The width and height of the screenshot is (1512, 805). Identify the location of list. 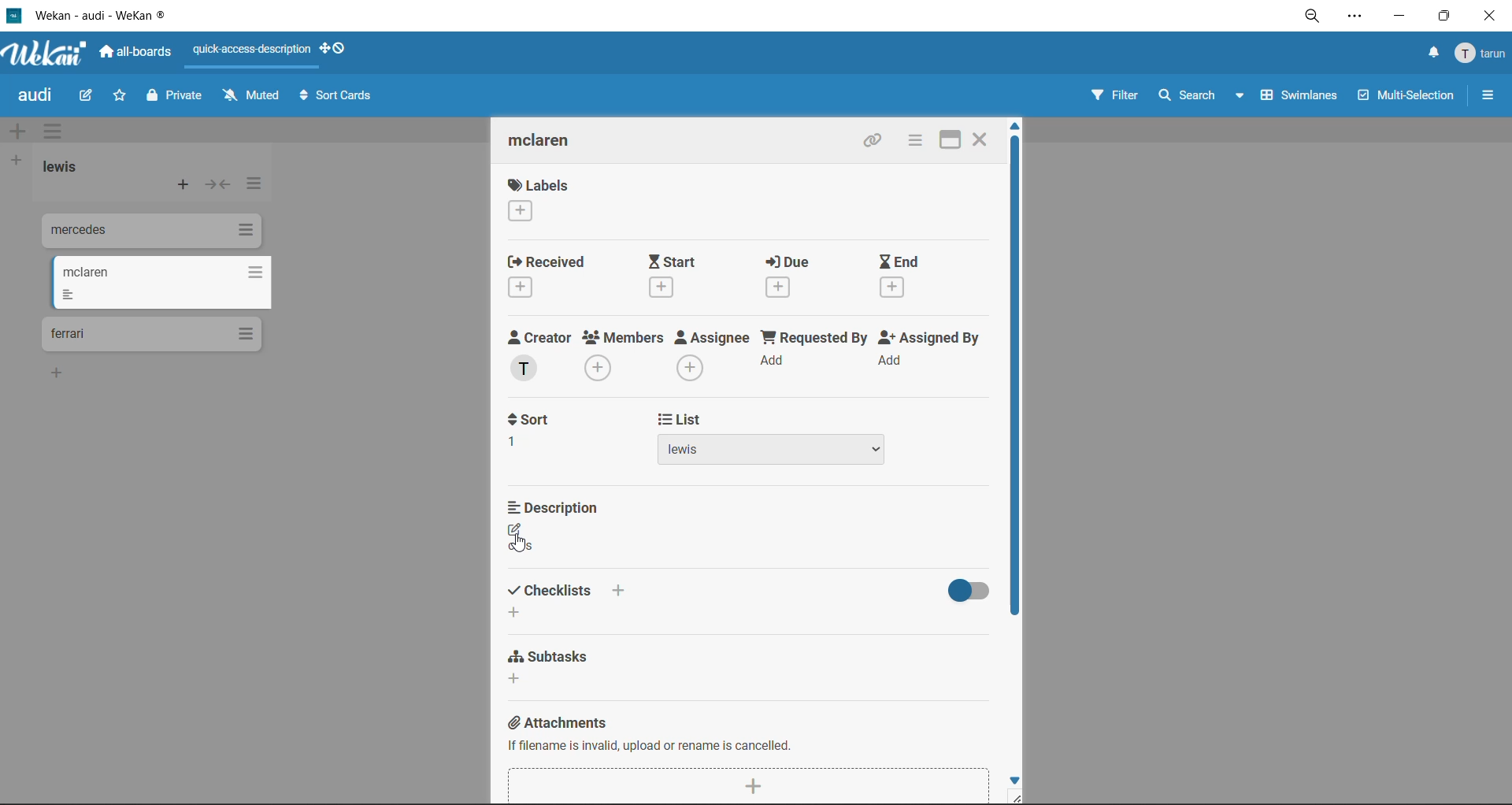
(777, 440).